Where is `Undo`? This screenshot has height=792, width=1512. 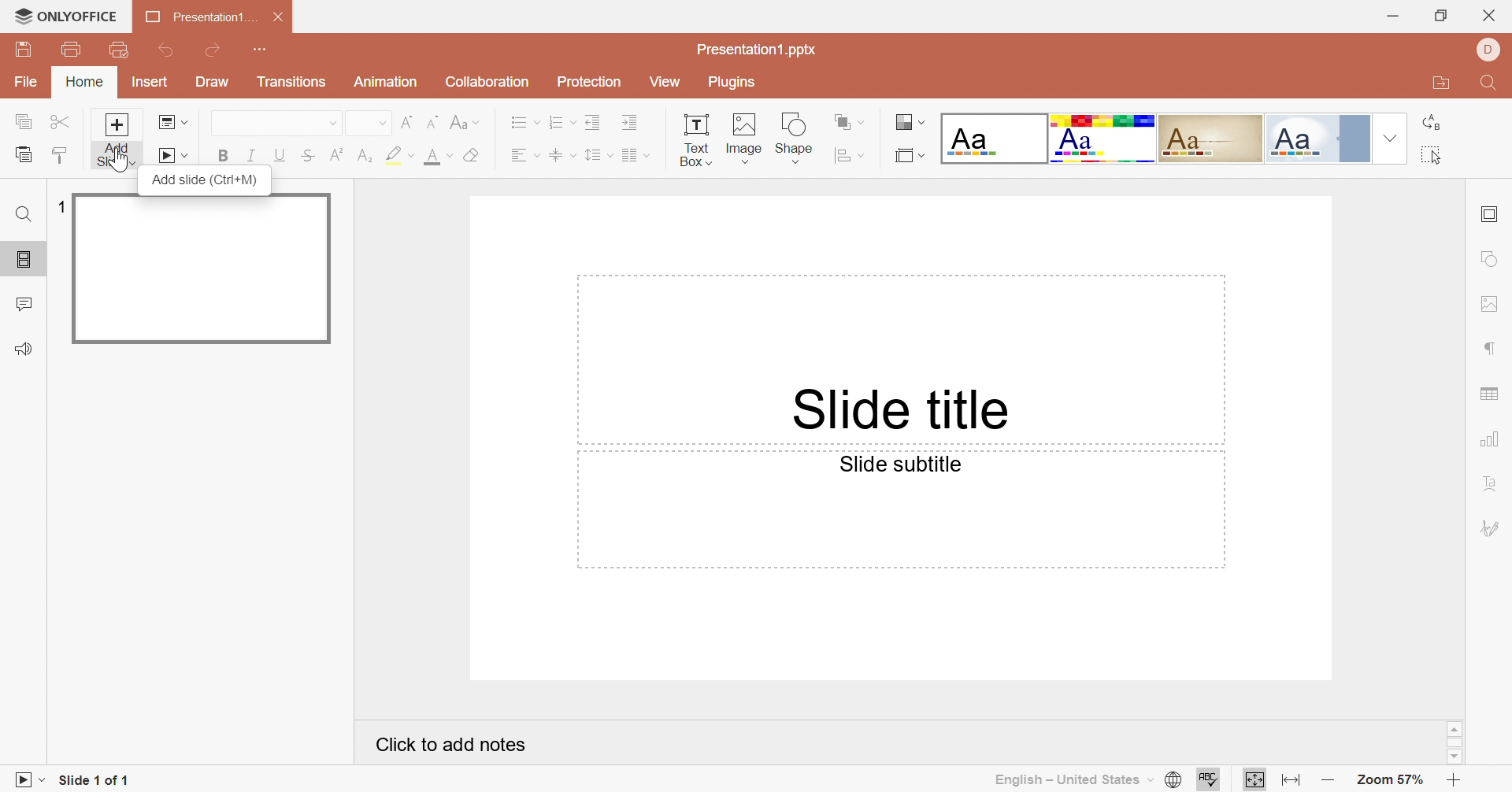 Undo is located at coordinates (165, 51).